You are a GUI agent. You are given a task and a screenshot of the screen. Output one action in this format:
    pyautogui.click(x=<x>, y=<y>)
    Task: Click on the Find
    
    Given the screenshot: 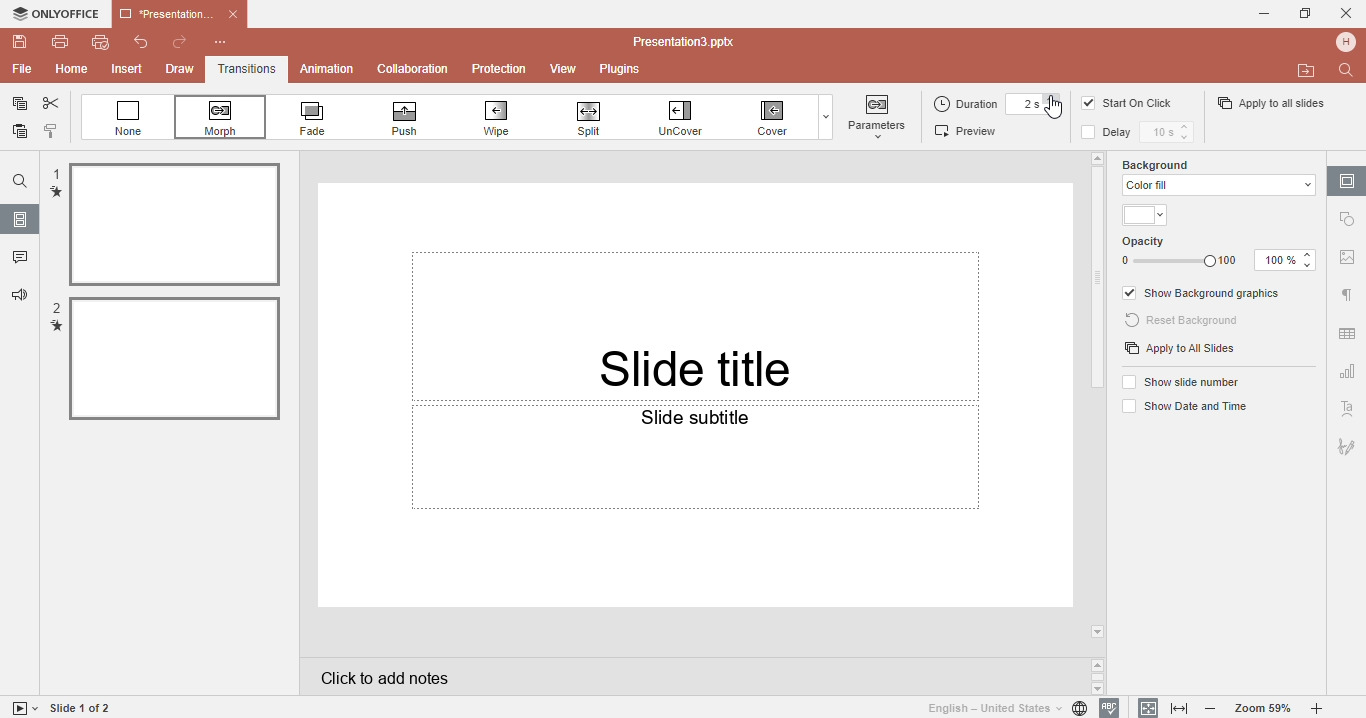 What is the action you would take?
    pyautogui.click(x=19, y=181)
    